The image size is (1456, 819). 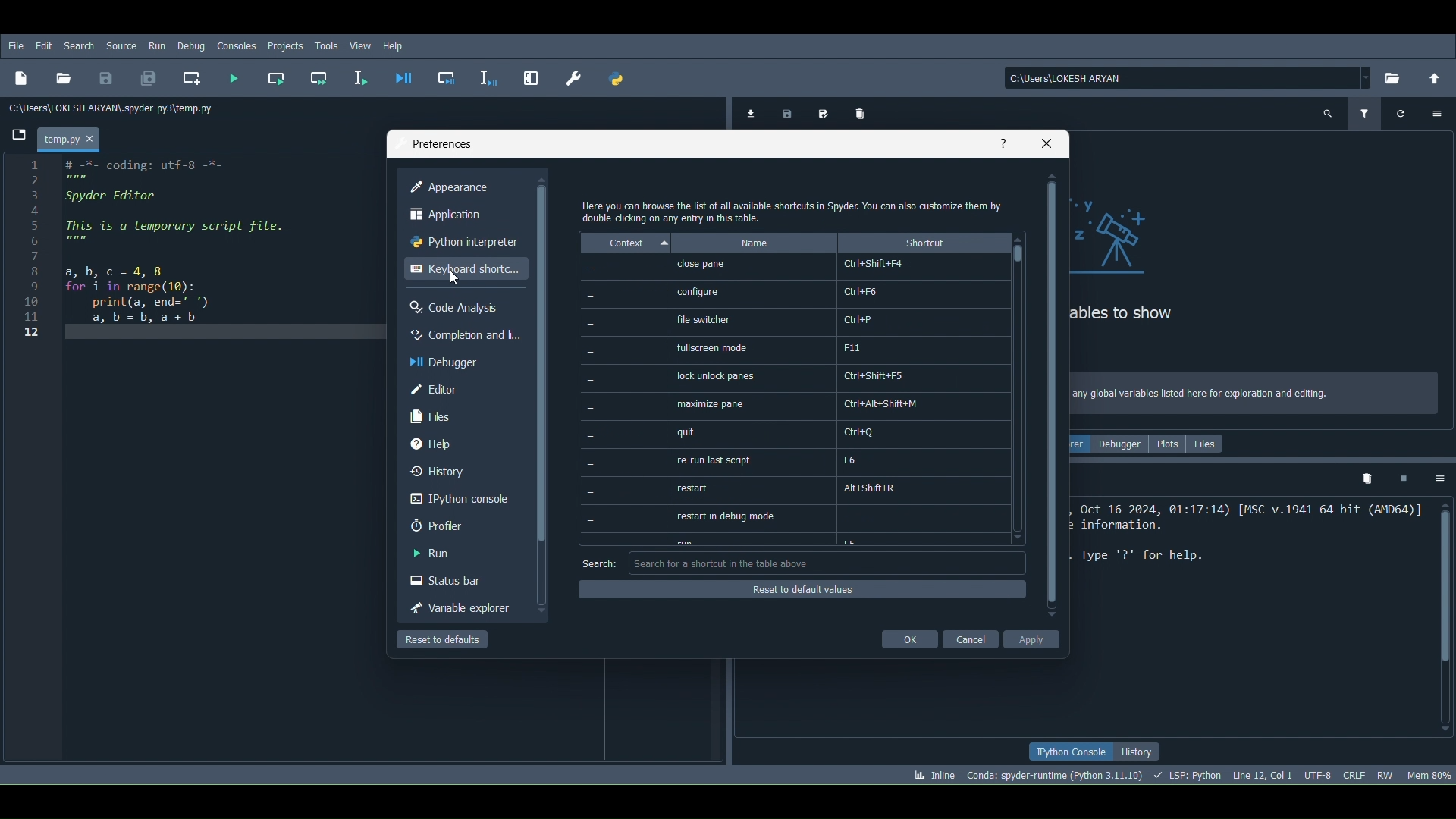 What do you see at coordinates (1434, 76) in the screenshot?
I see `Change to parent directory` at bounding box center [1434, 76].